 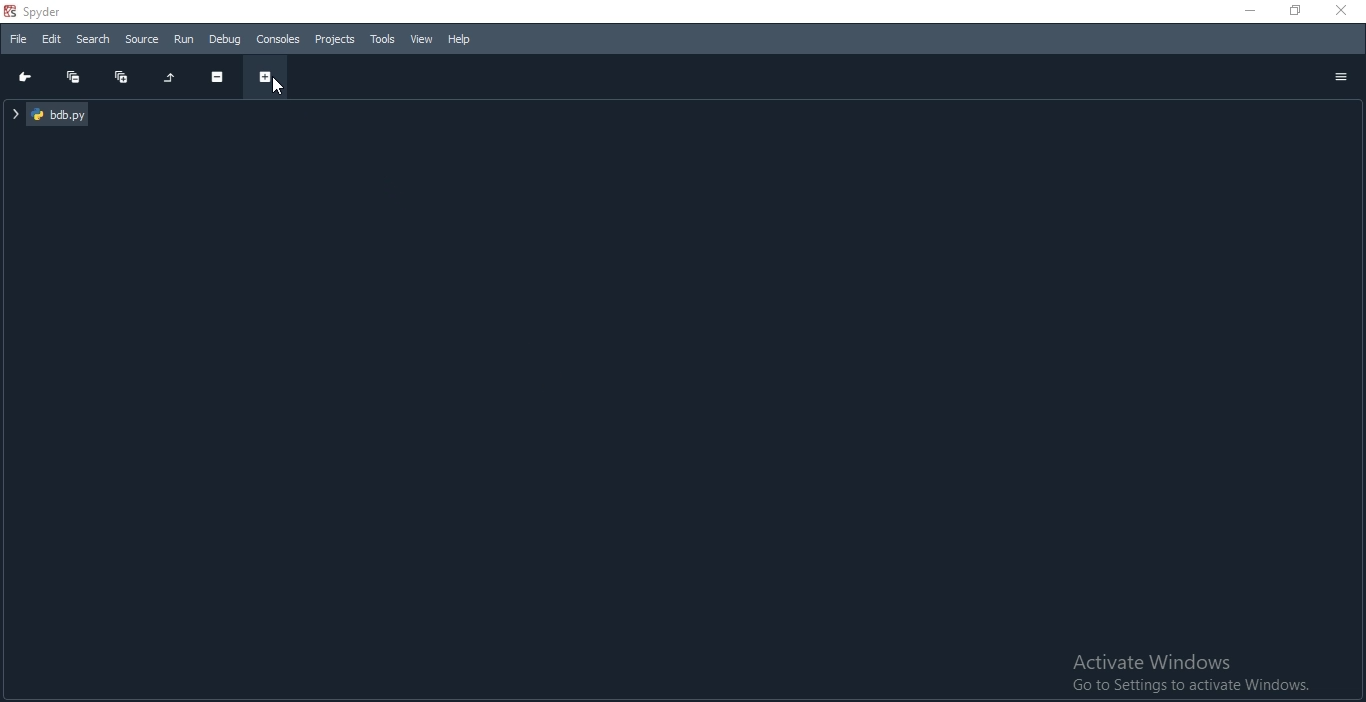 What do you see at coordinates (1343, 13) in the screenshot?
I see `close` at bounding box center [1343, 13].